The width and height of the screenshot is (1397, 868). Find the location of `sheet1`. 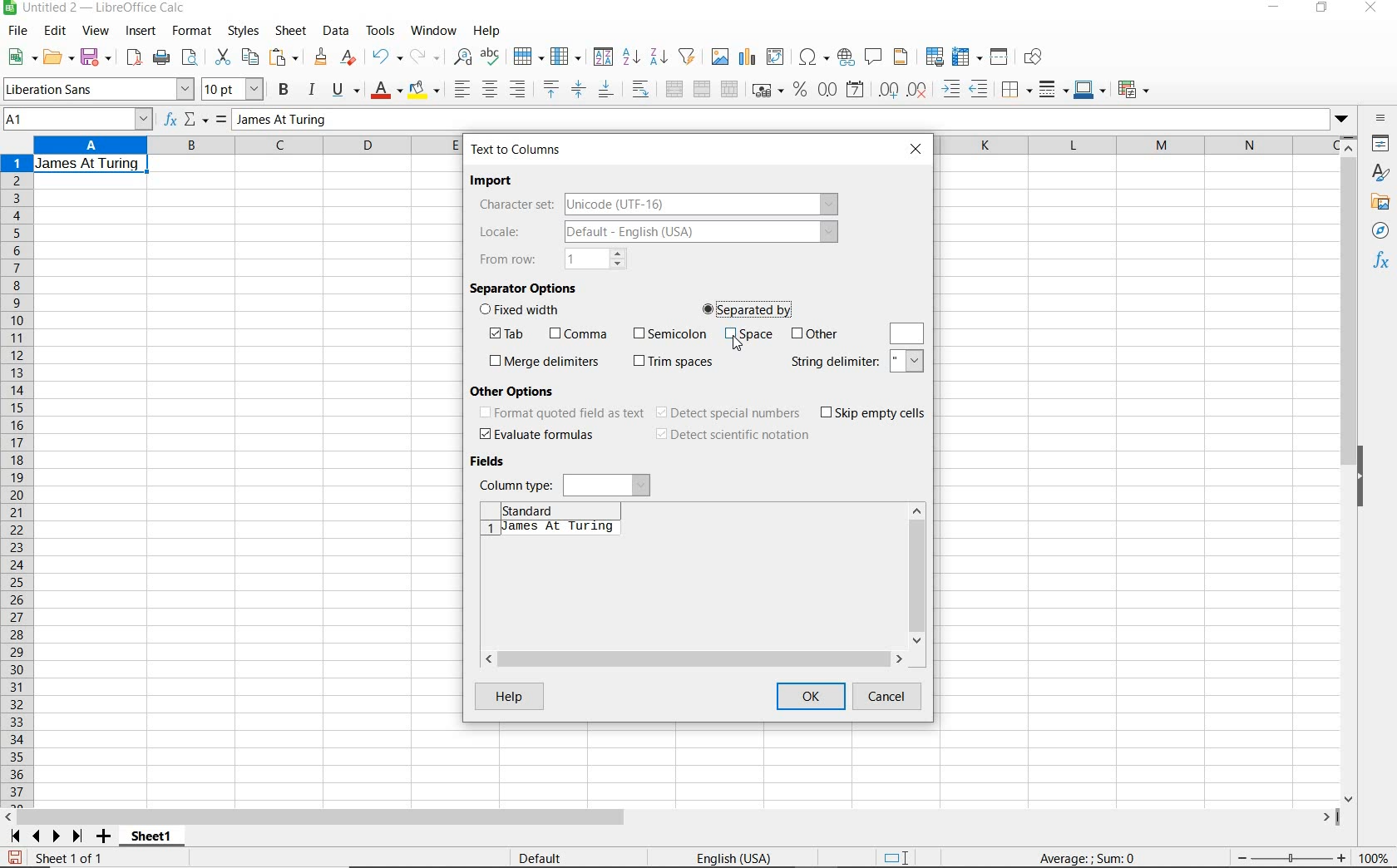

sheet1 is located at coordinates (153, 839).